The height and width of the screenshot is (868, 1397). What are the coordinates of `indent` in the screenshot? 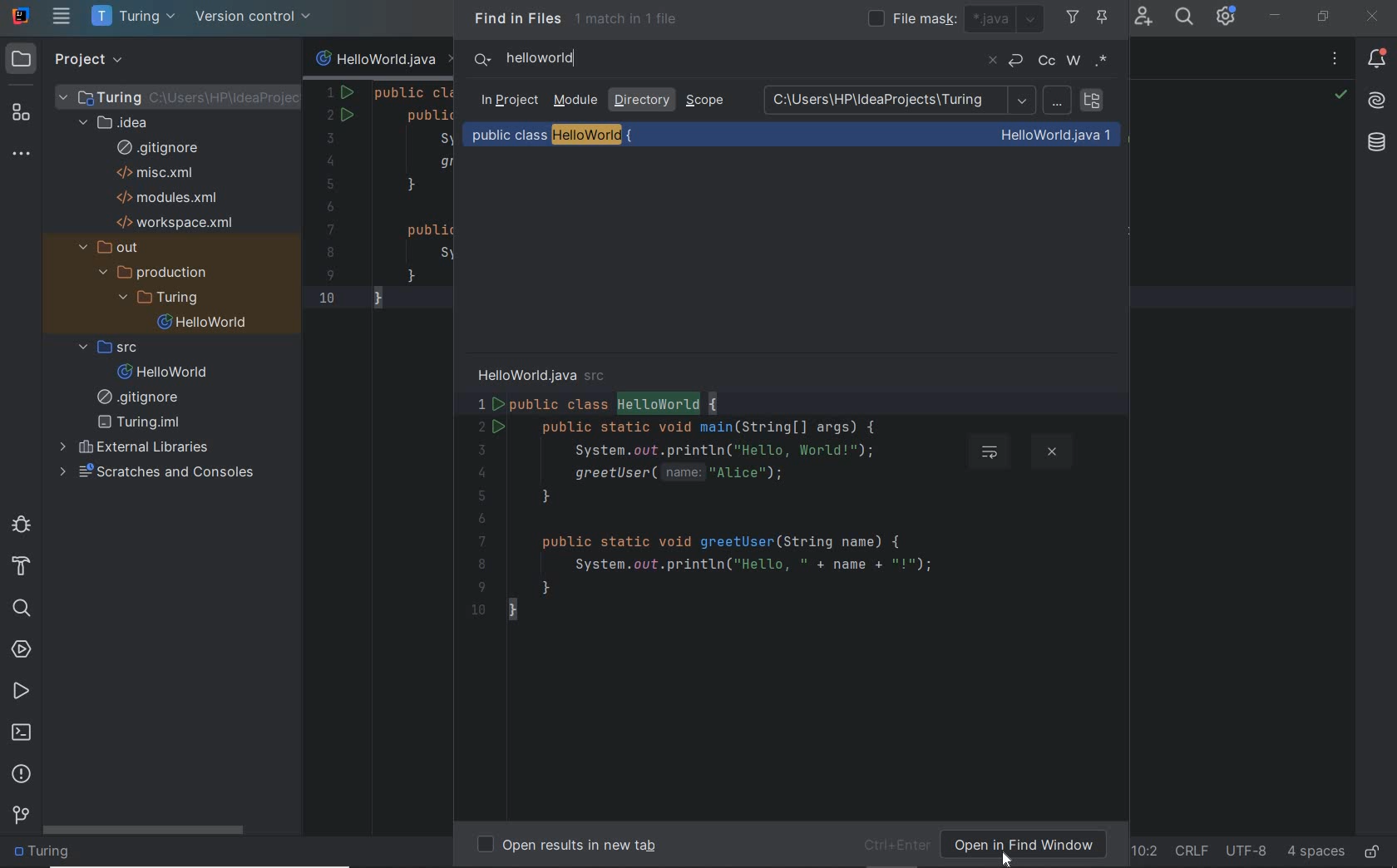 It's located at (1314, 853).